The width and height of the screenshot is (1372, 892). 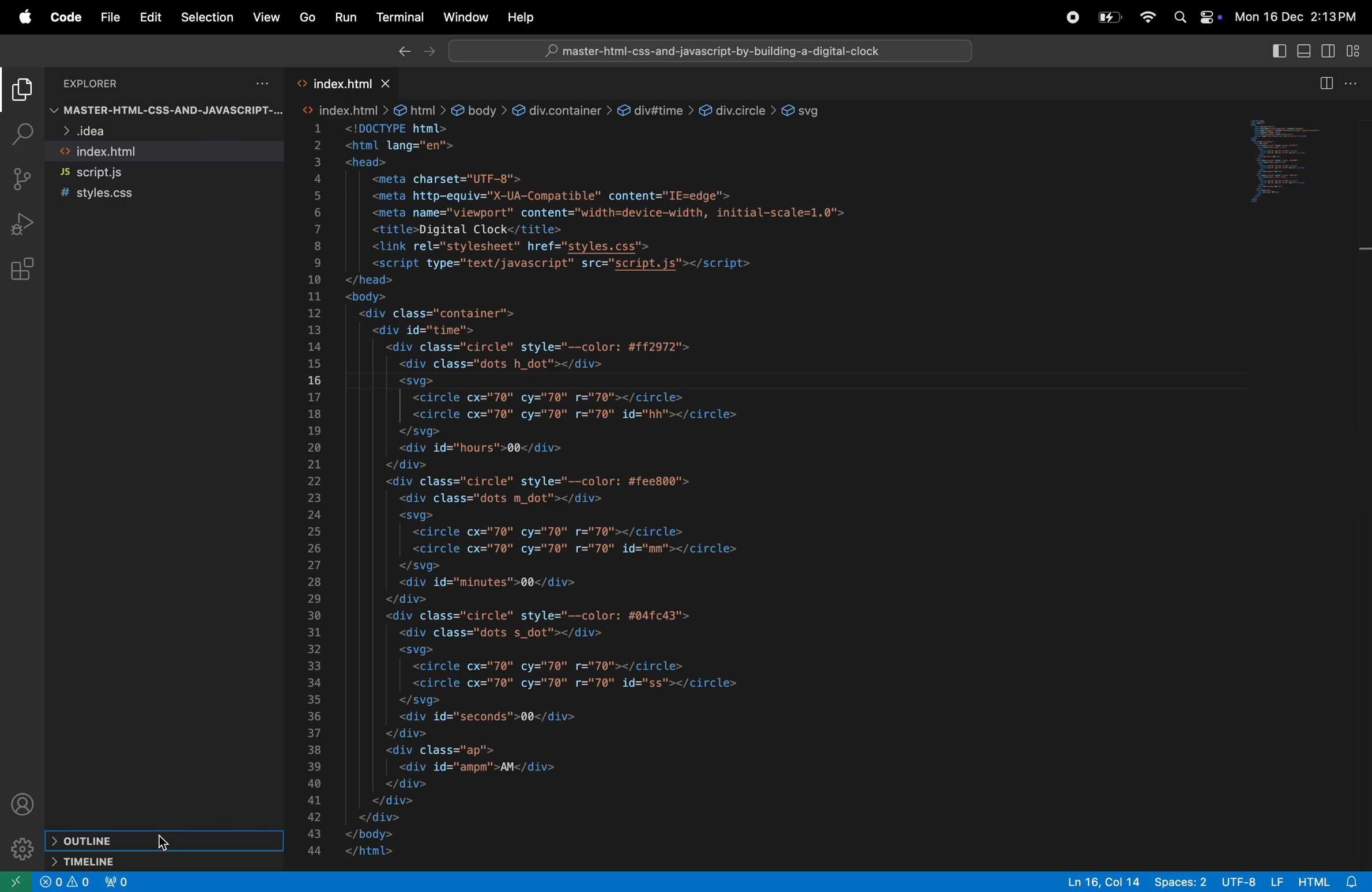 What do you see at coordinates (21, 848) in the screenshot?
I see `settings` at bounding box center [21, 848].